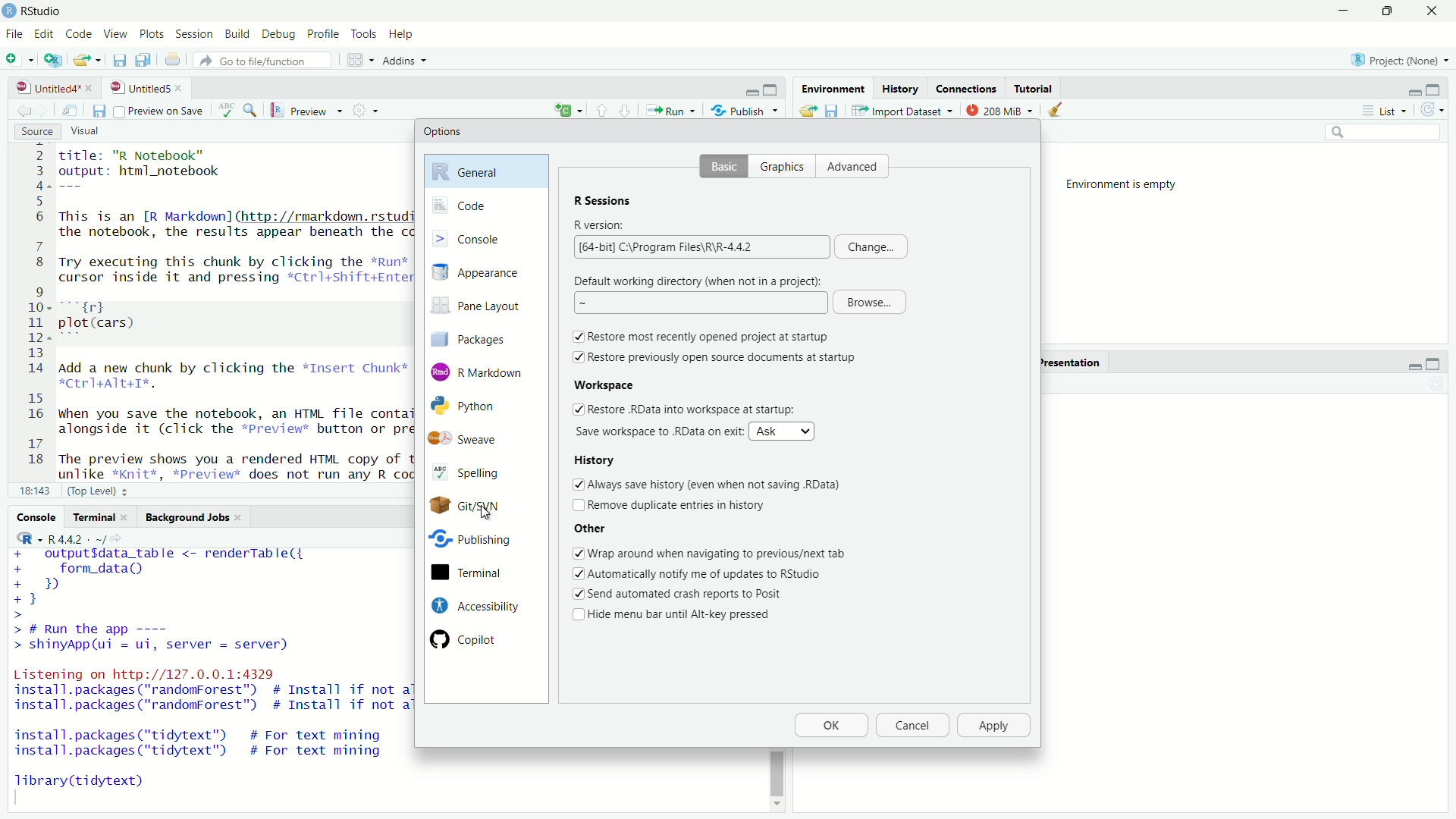 This screenshot has height=819, width=1456. Describe the element at coordinates (1395, 58) in the screenshot. I see `Project: (None) ` at that location.